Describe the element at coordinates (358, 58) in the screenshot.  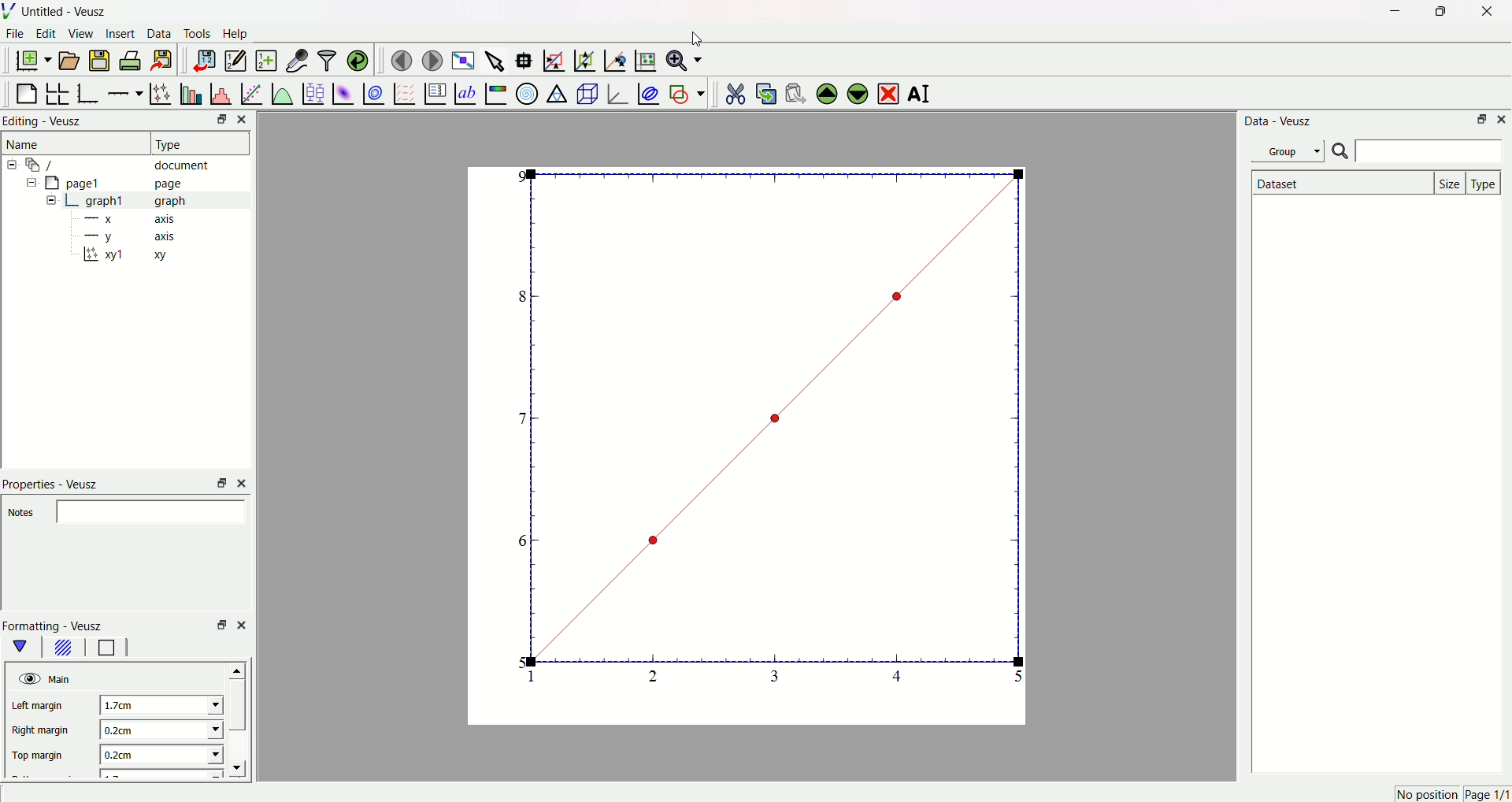
I see `reload linked datasets` at that location.